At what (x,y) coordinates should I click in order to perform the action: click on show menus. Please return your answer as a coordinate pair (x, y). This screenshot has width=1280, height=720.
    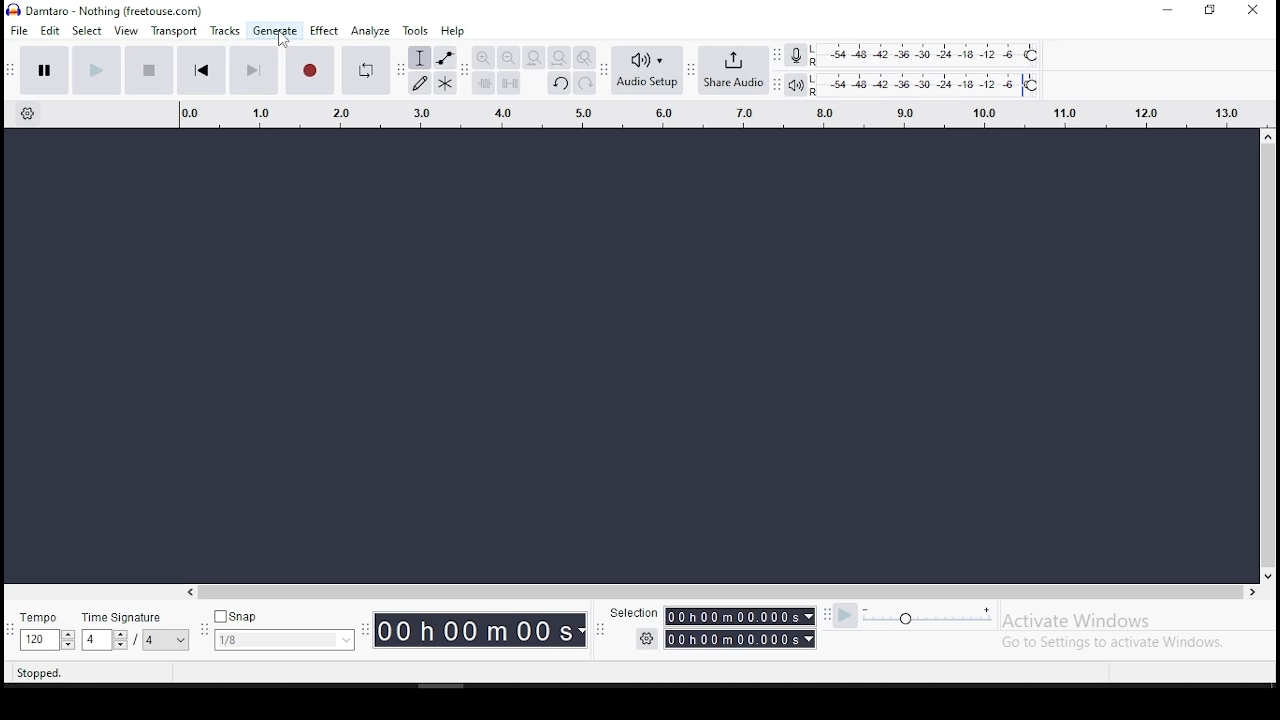
    Looking at the image, I should click on (201, 632).